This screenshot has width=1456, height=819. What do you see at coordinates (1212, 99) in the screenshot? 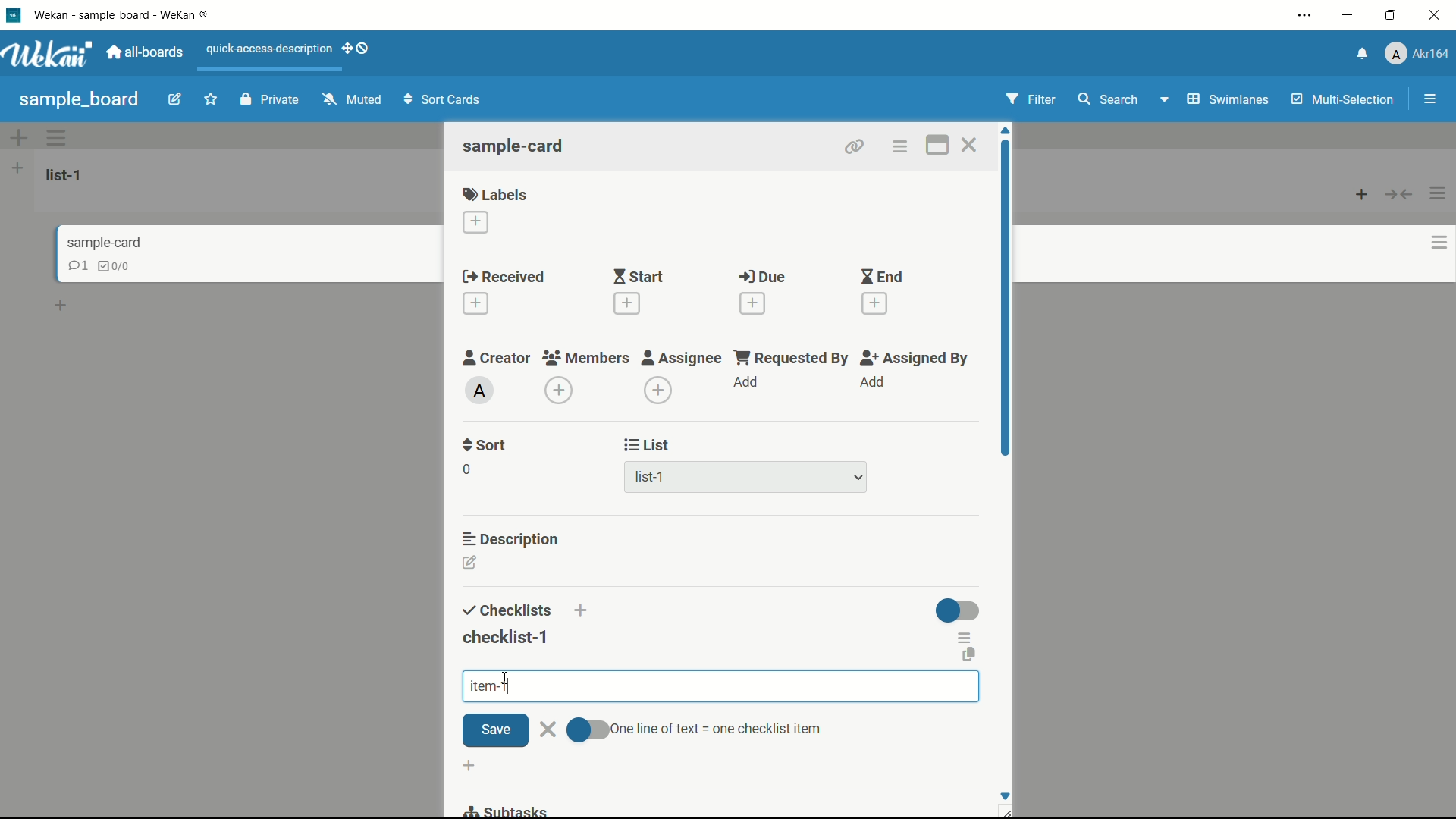
I see ` Swimlanes` at bounding box center [1212, 99].